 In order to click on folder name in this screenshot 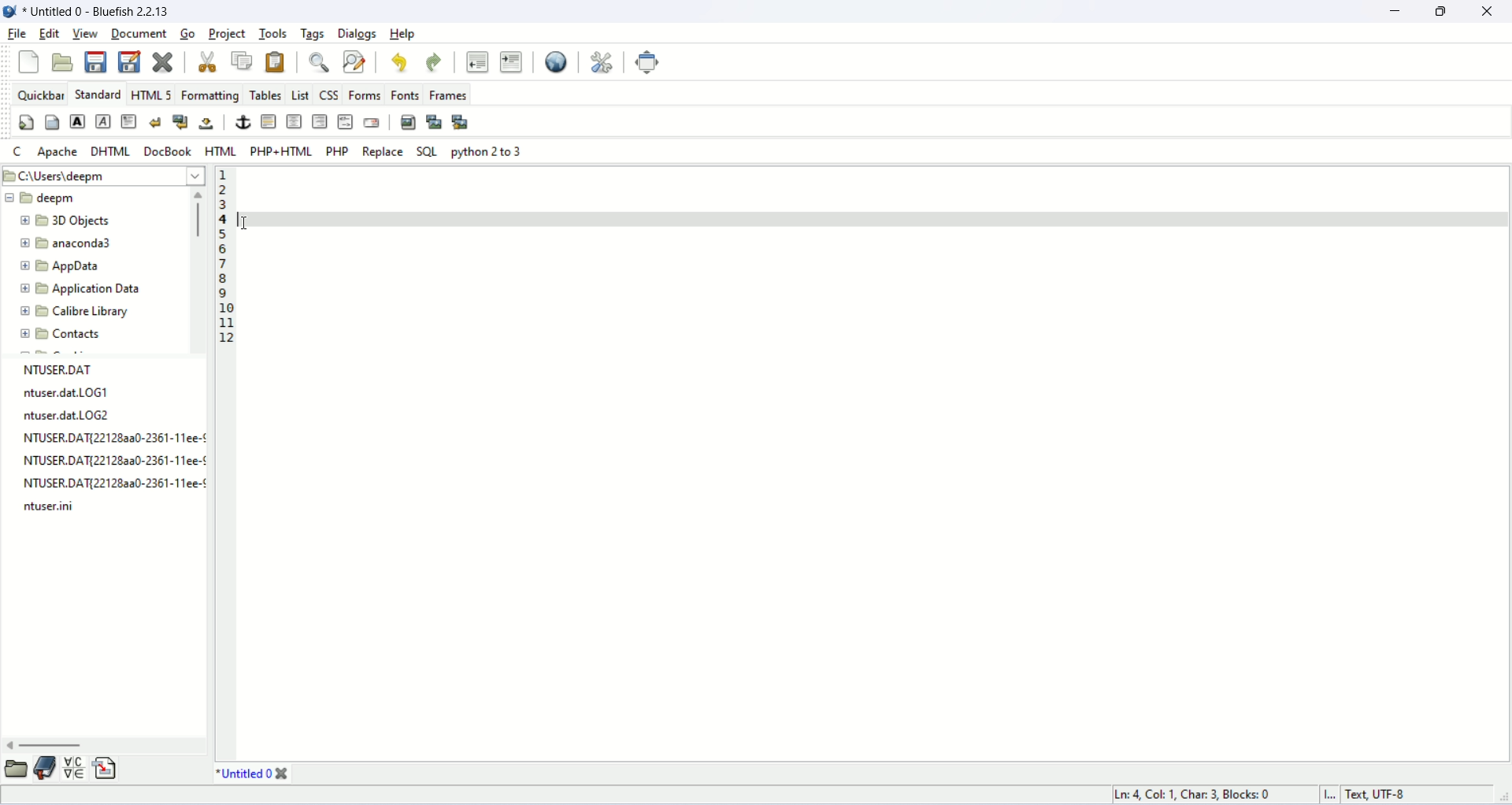, I will do `click(91, 314)`.